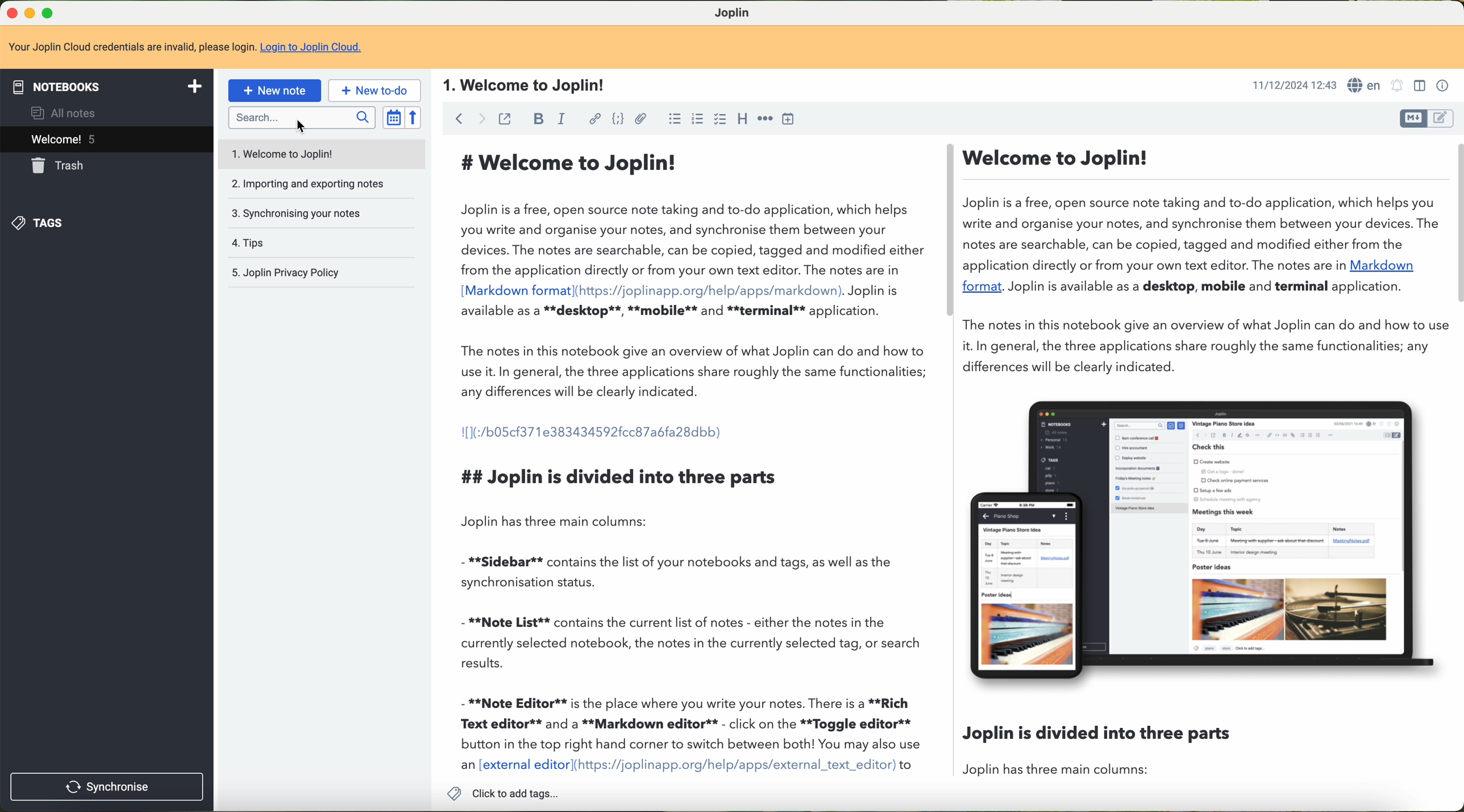 Image resolution: width=1464 pixels, height=812 pixels. I want to click on code, so click(618, 119).